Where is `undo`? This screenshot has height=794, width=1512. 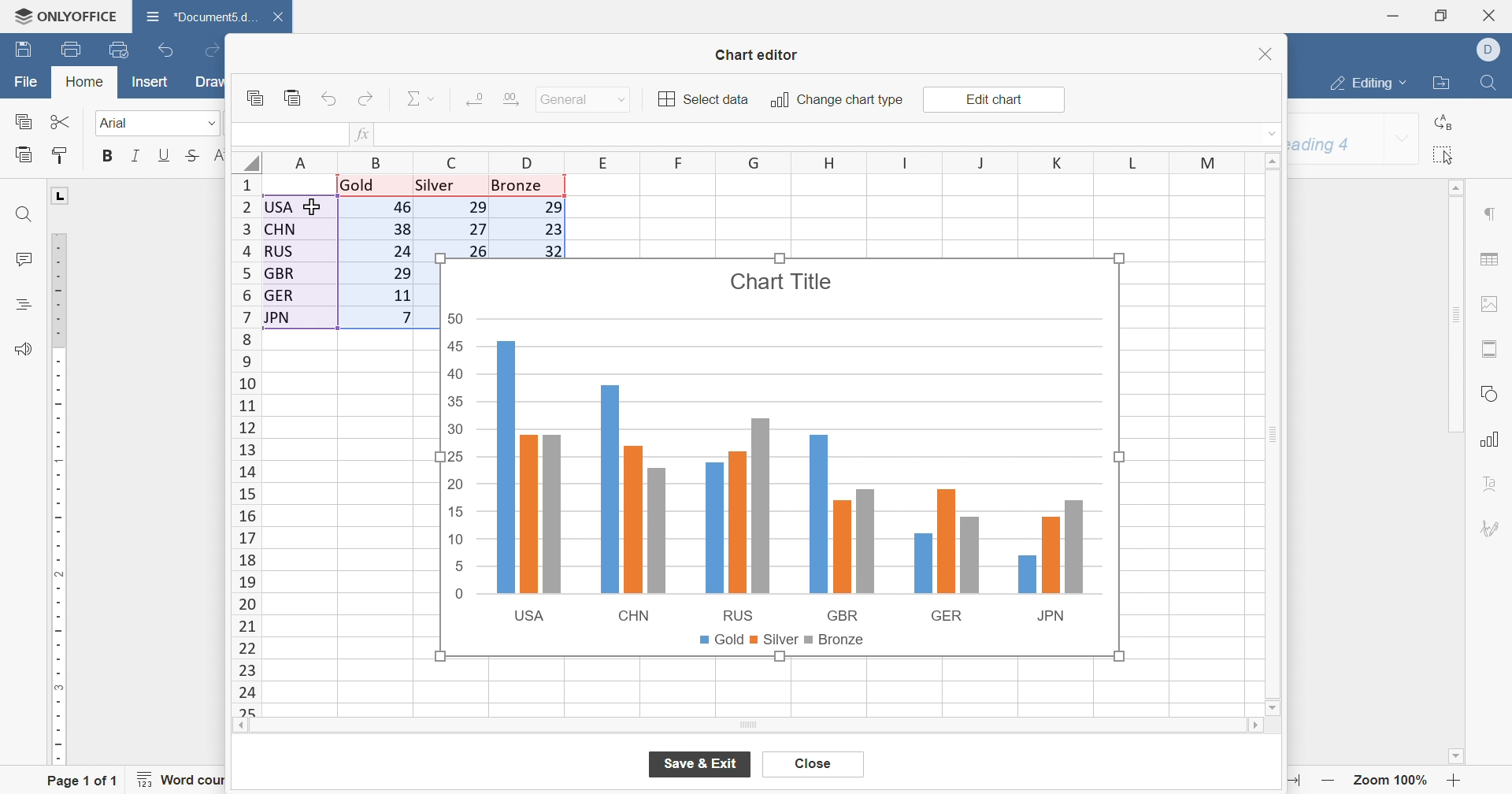
undo is located at coordinates (331, 98).